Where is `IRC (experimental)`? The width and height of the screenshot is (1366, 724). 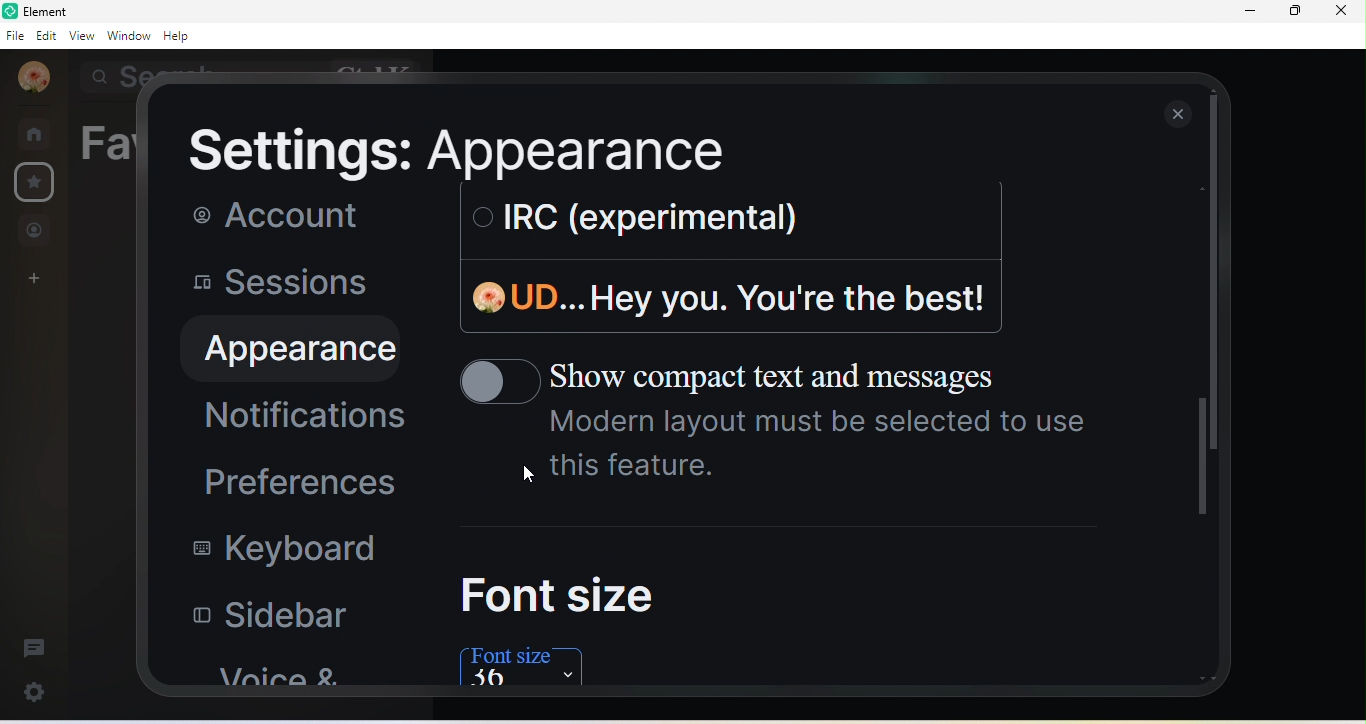 IRC (experimental) is located at coordinates (624, 217).